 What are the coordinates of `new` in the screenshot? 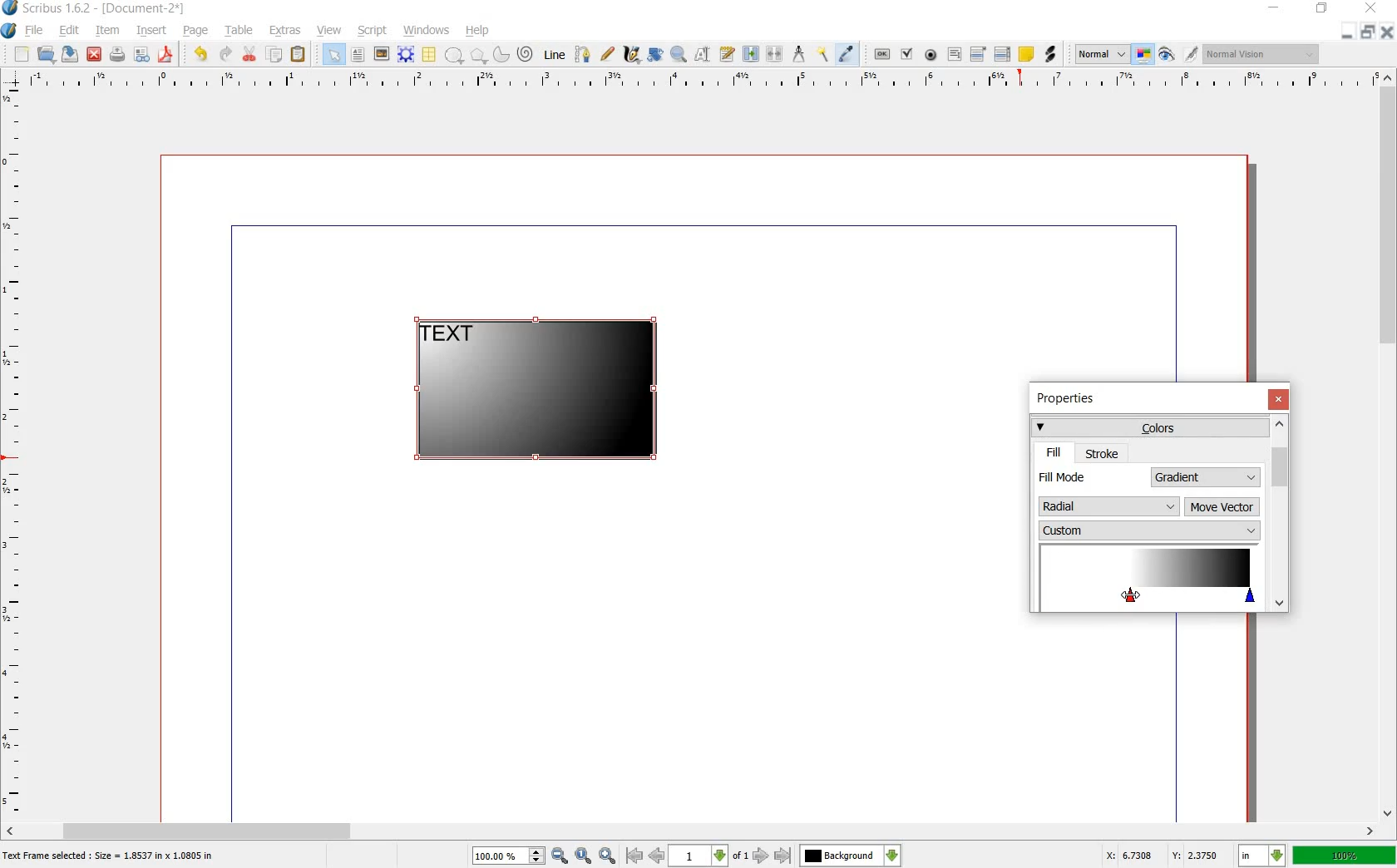 It's located at (22, 55).